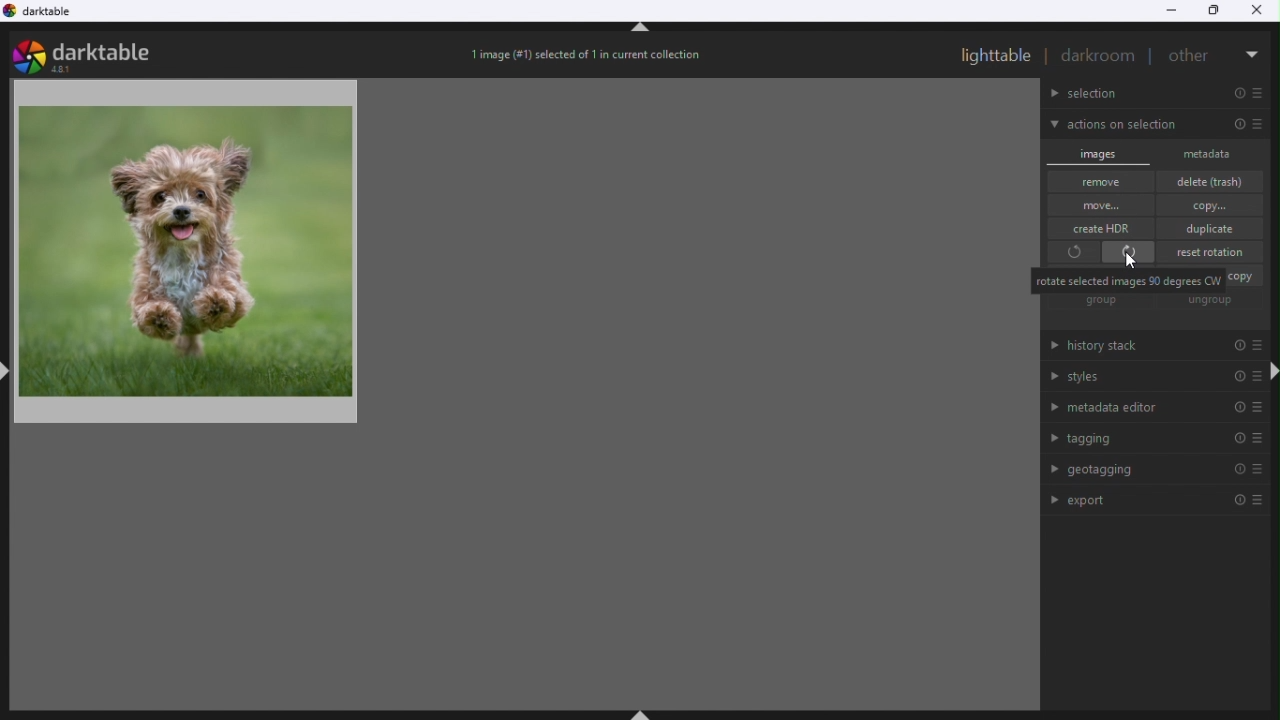  Describe the element at coordinates (641, 31) in the screenshot. I see `shift+ctrl+t` at that location.